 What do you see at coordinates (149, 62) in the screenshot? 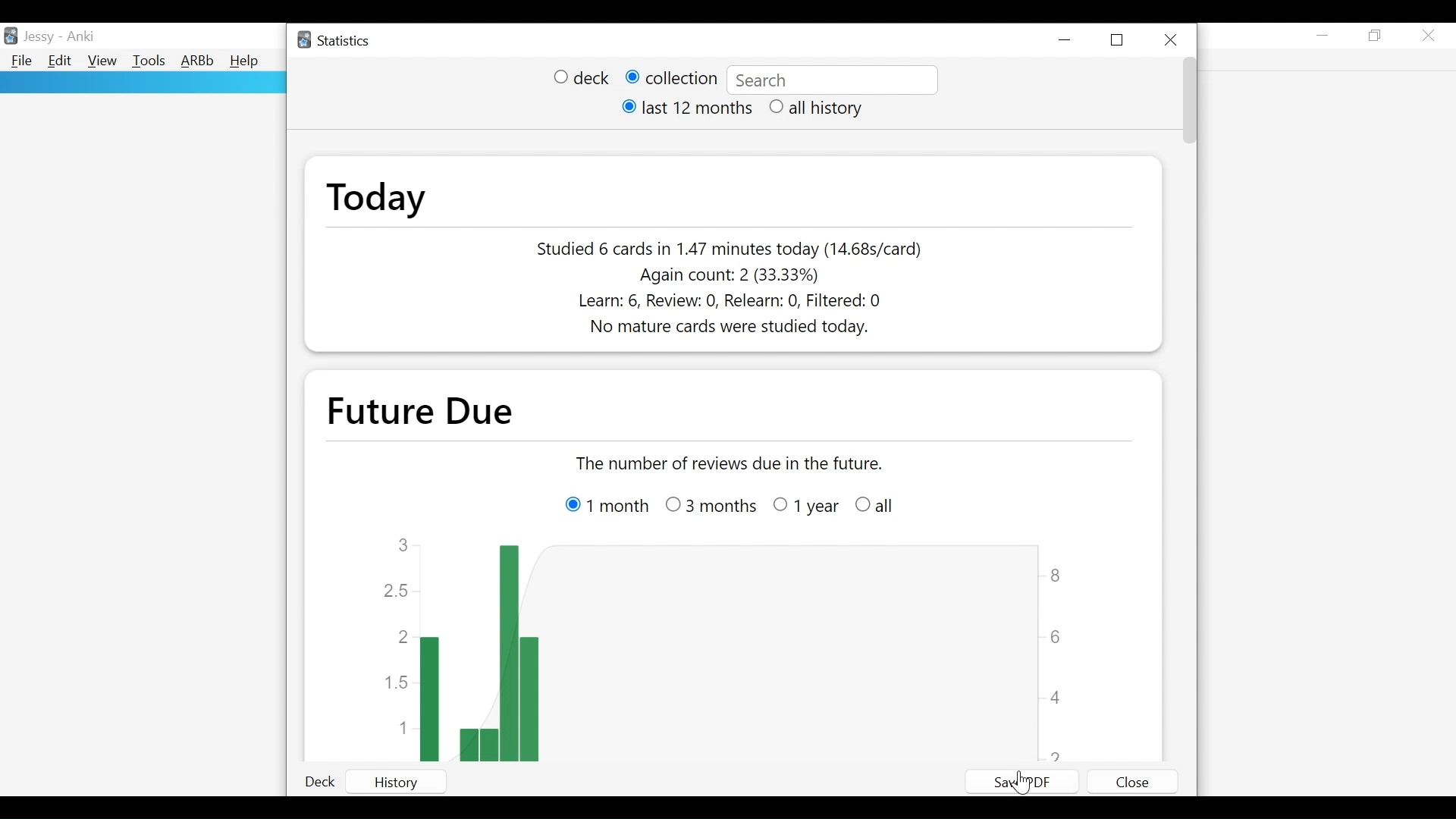
I see `Tools` at bounding box center [149, 62].